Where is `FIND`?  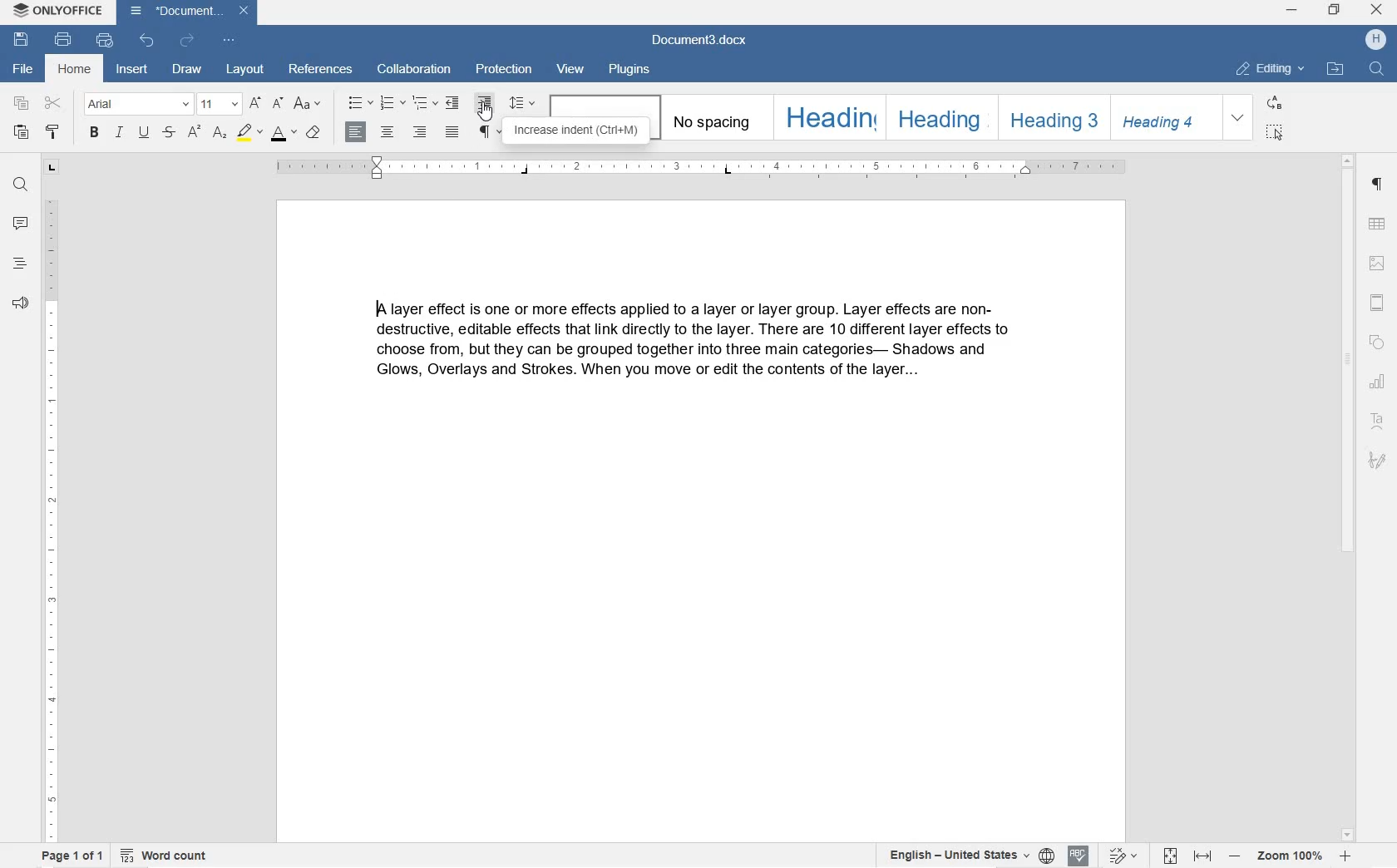 FIND is located at coordinates (22, 186).